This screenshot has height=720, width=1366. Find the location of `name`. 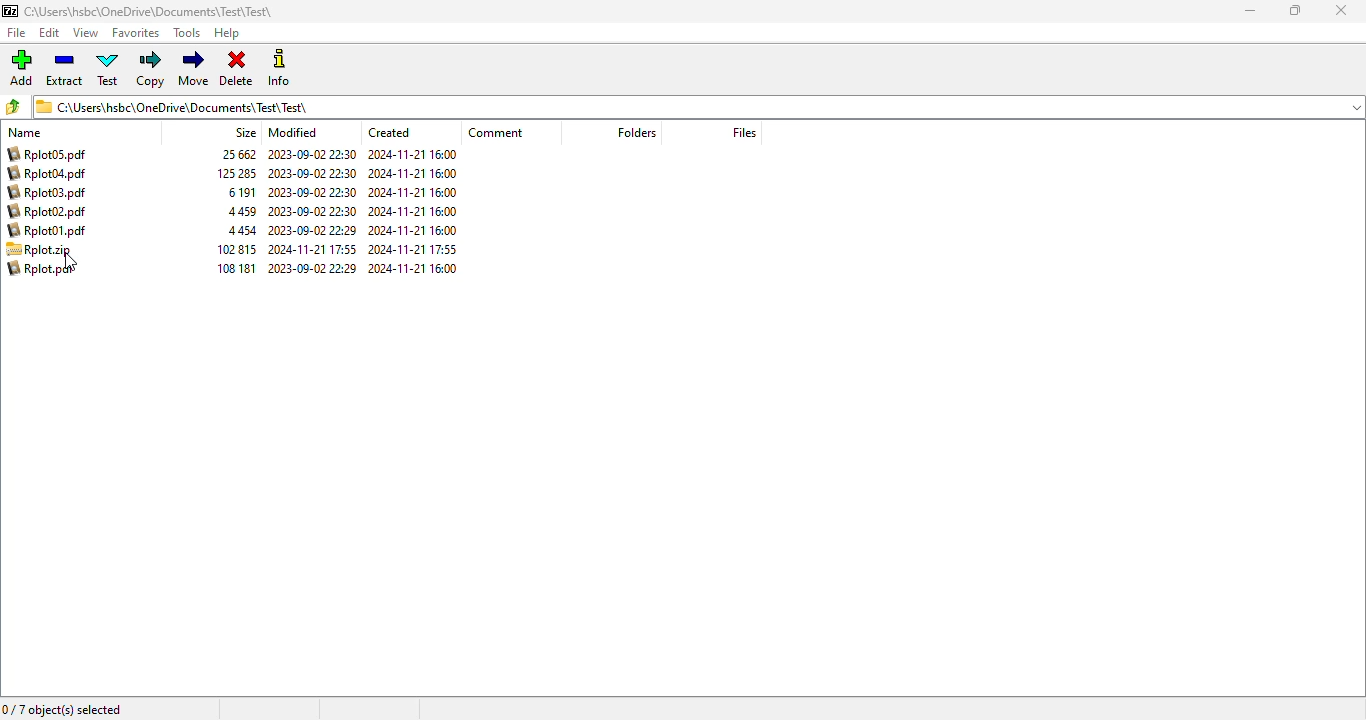

name is located at coordinates (25, 131).